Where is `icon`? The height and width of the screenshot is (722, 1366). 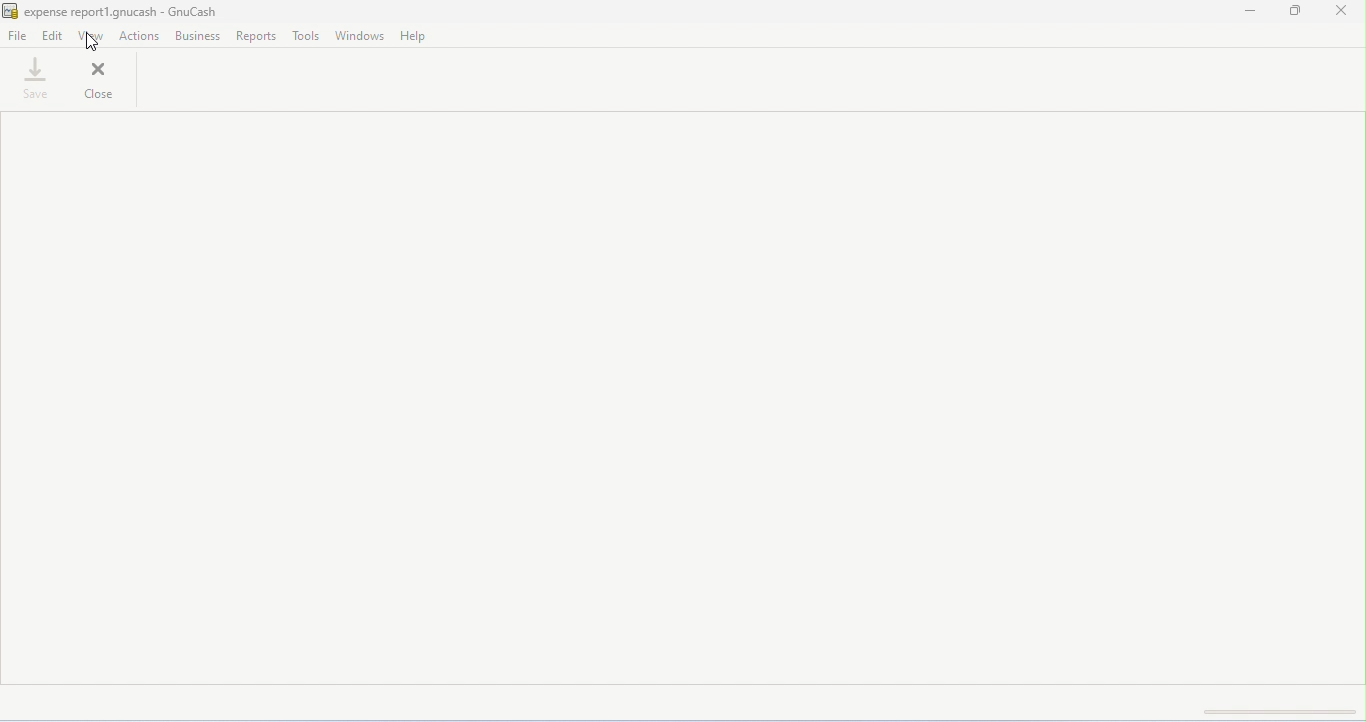 icon is located at coordinates (10, 12).